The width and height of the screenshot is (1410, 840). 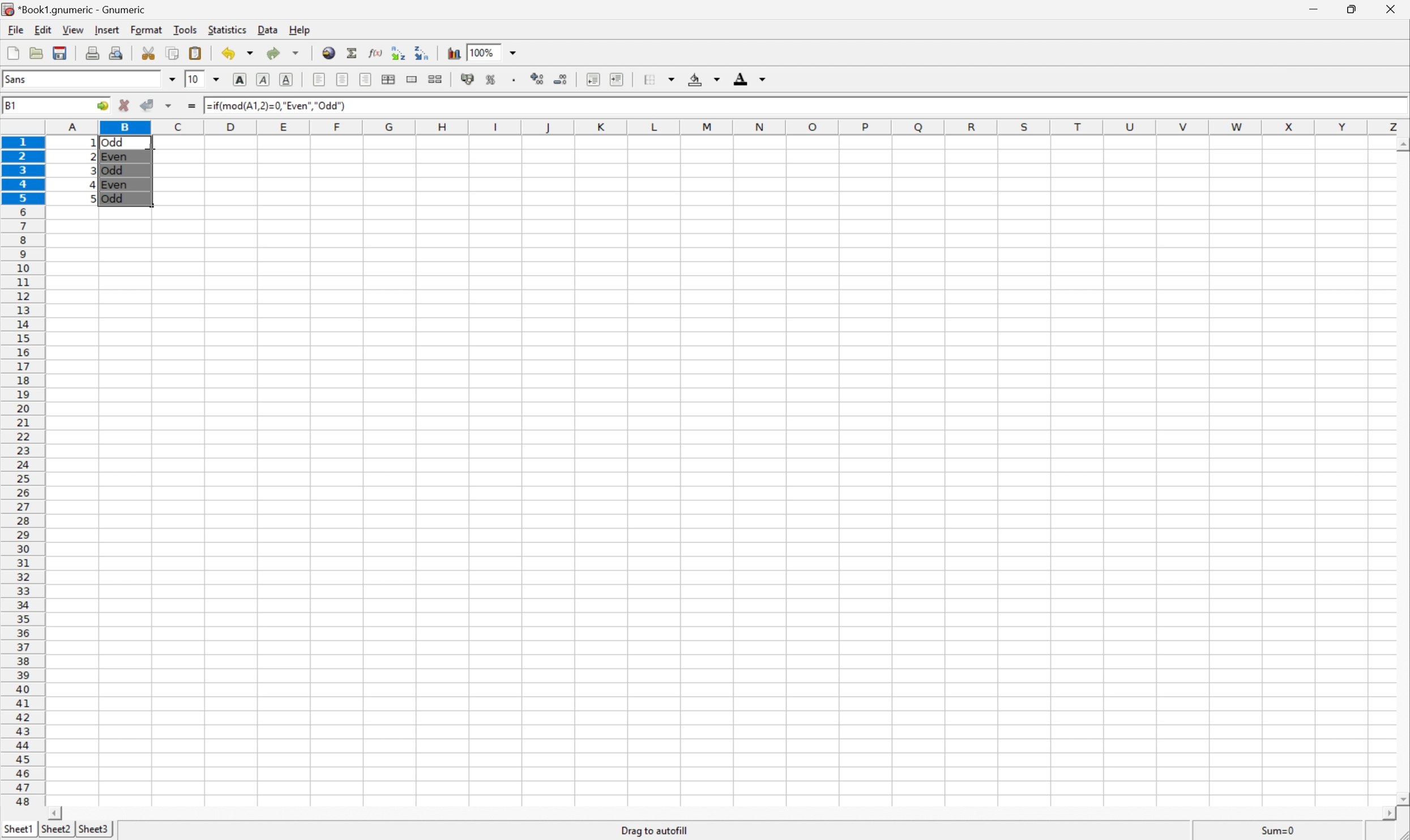 I want to click on Even, so click(x=117, y=155).